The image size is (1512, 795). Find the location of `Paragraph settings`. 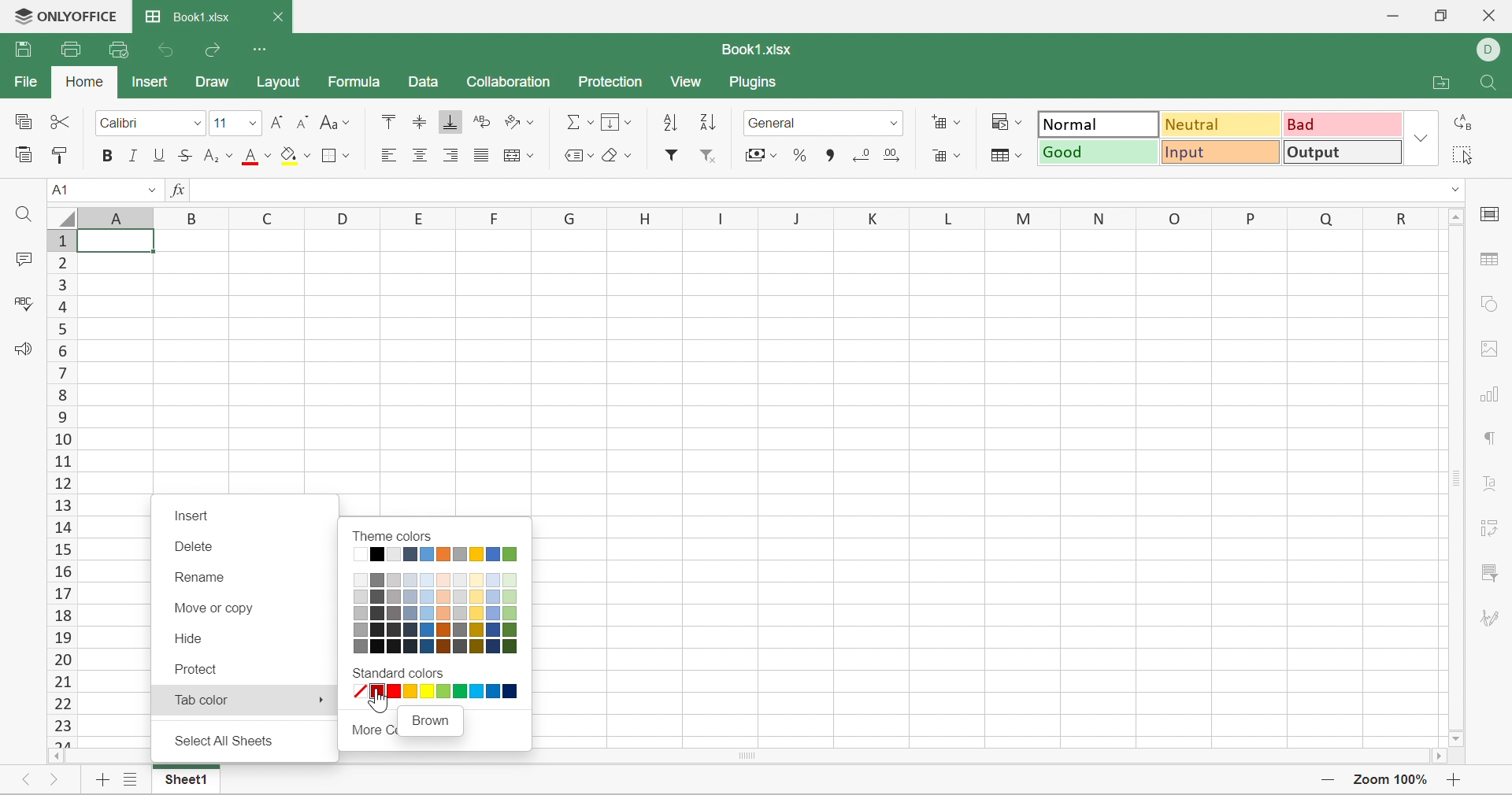

Paragraph settings is located at coordinates (1488, 438).